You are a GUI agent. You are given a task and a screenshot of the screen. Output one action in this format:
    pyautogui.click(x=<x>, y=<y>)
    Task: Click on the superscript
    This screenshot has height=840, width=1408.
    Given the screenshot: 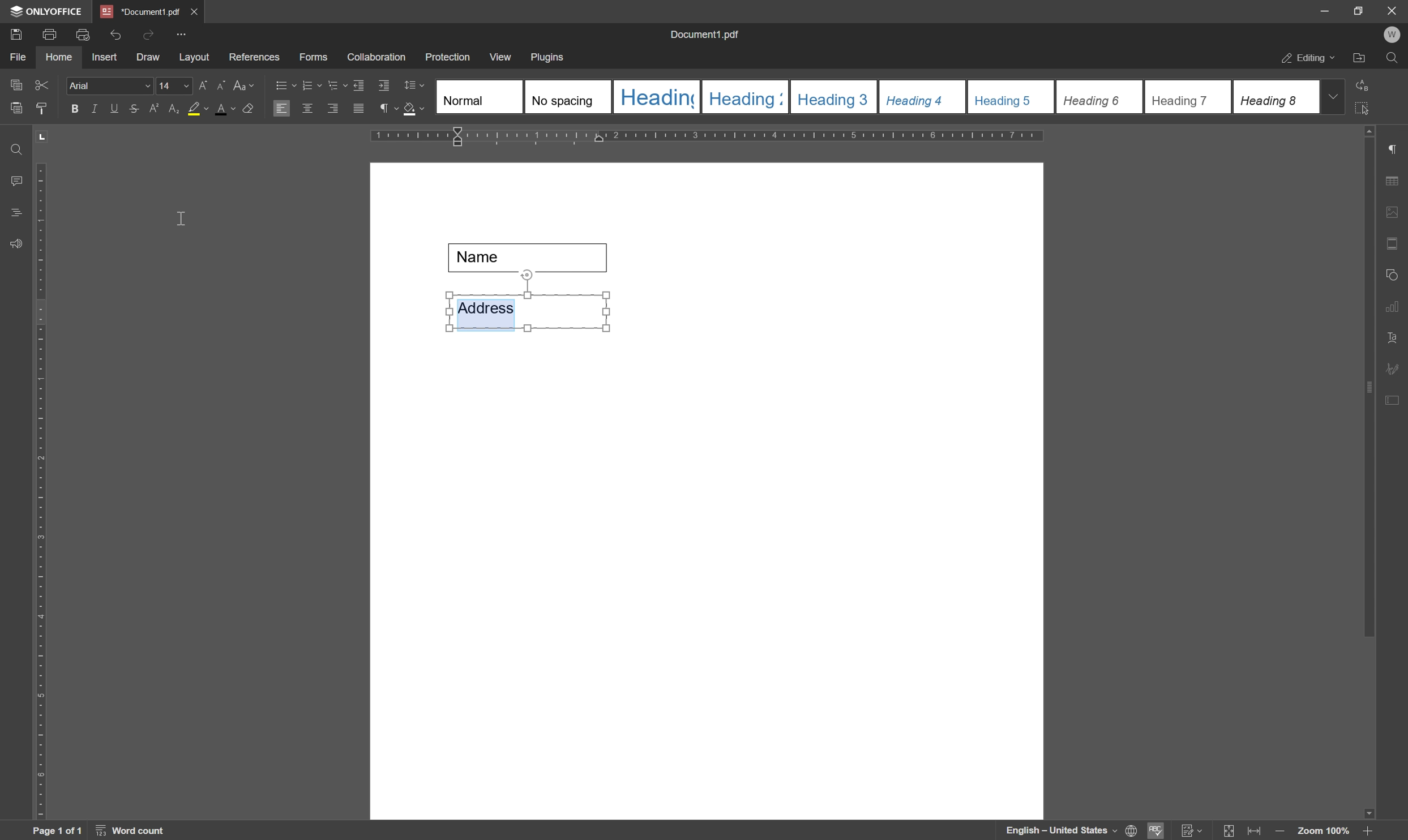 What is the action you would take?
    pyautogui.click(x=154, y=109)
    